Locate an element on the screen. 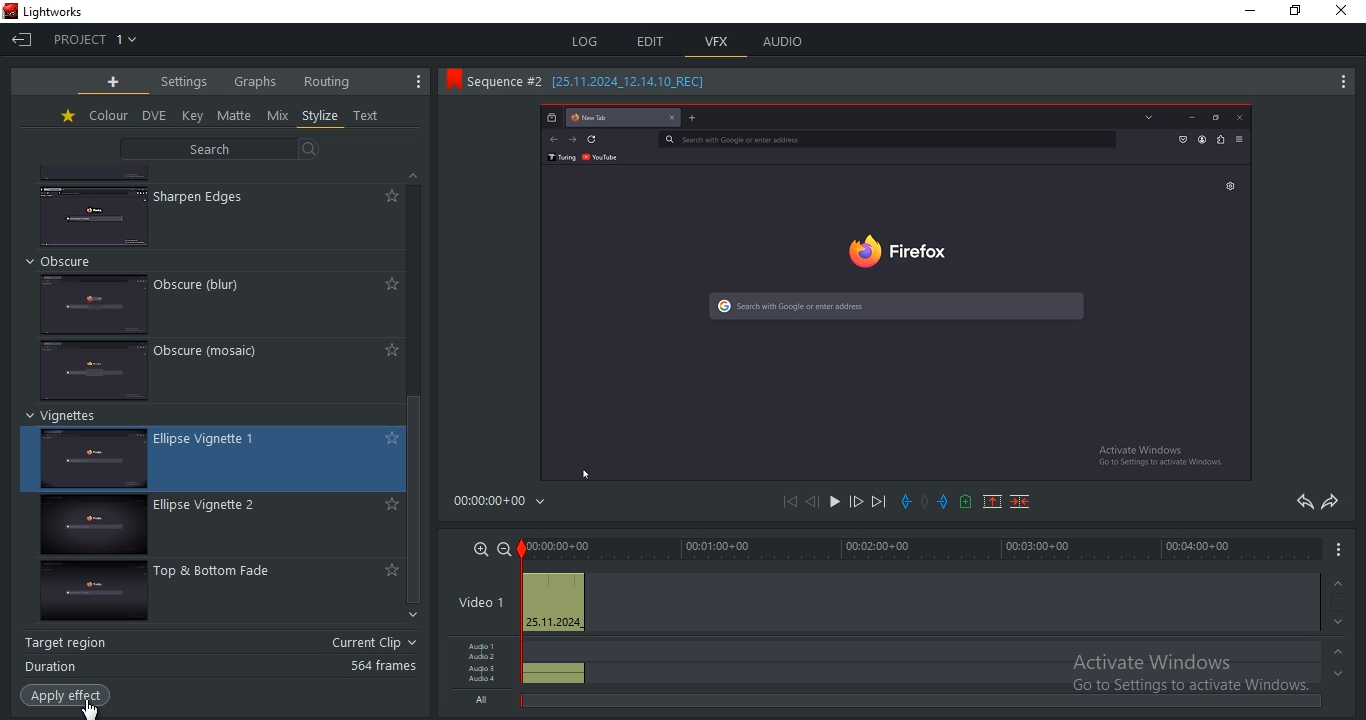 This screenshot has width=1366, height=720. vfx is located at coordinates (717, 42).